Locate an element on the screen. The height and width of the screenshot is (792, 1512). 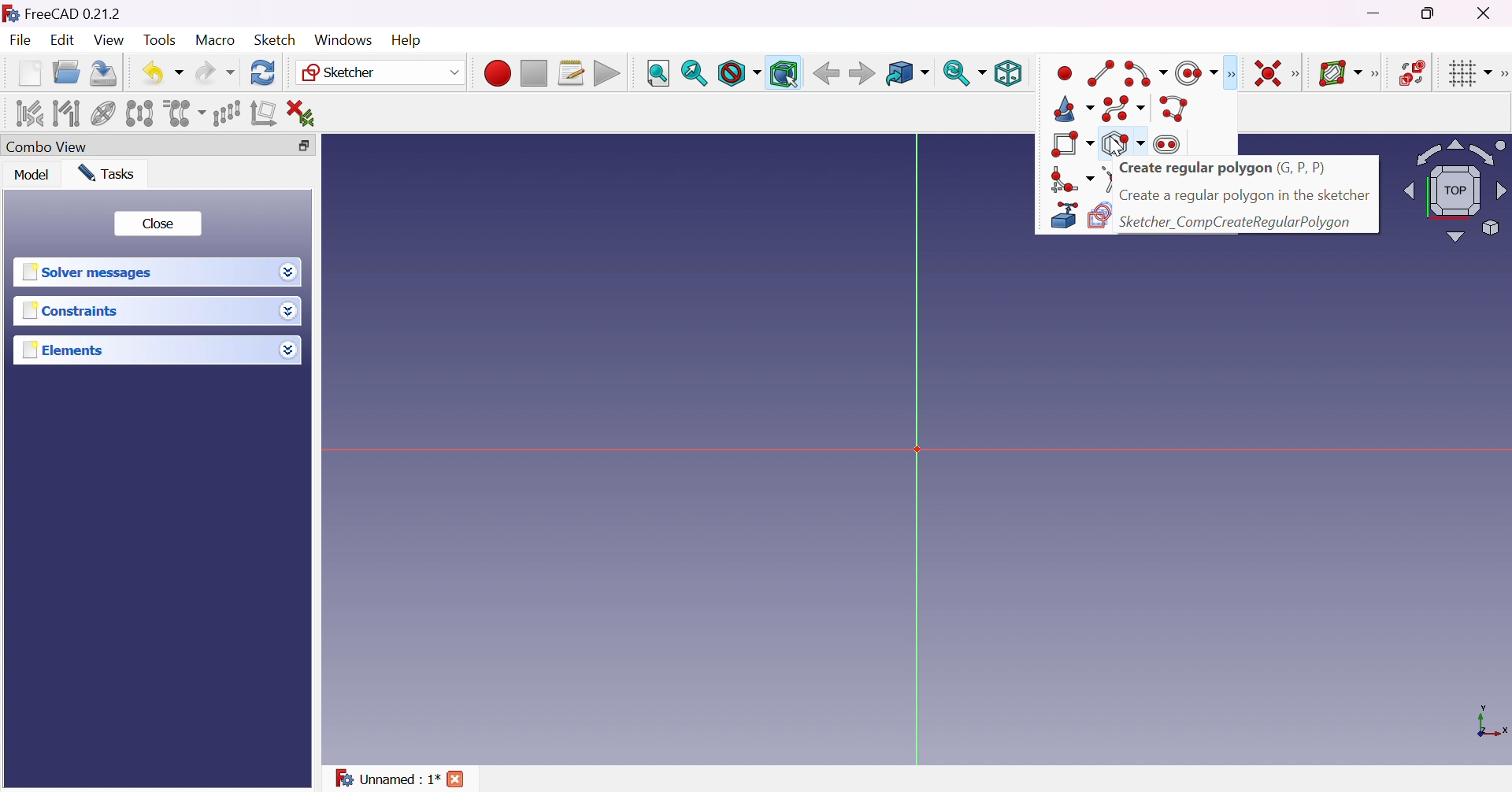
[View] is located at coordinates (1048, 74).